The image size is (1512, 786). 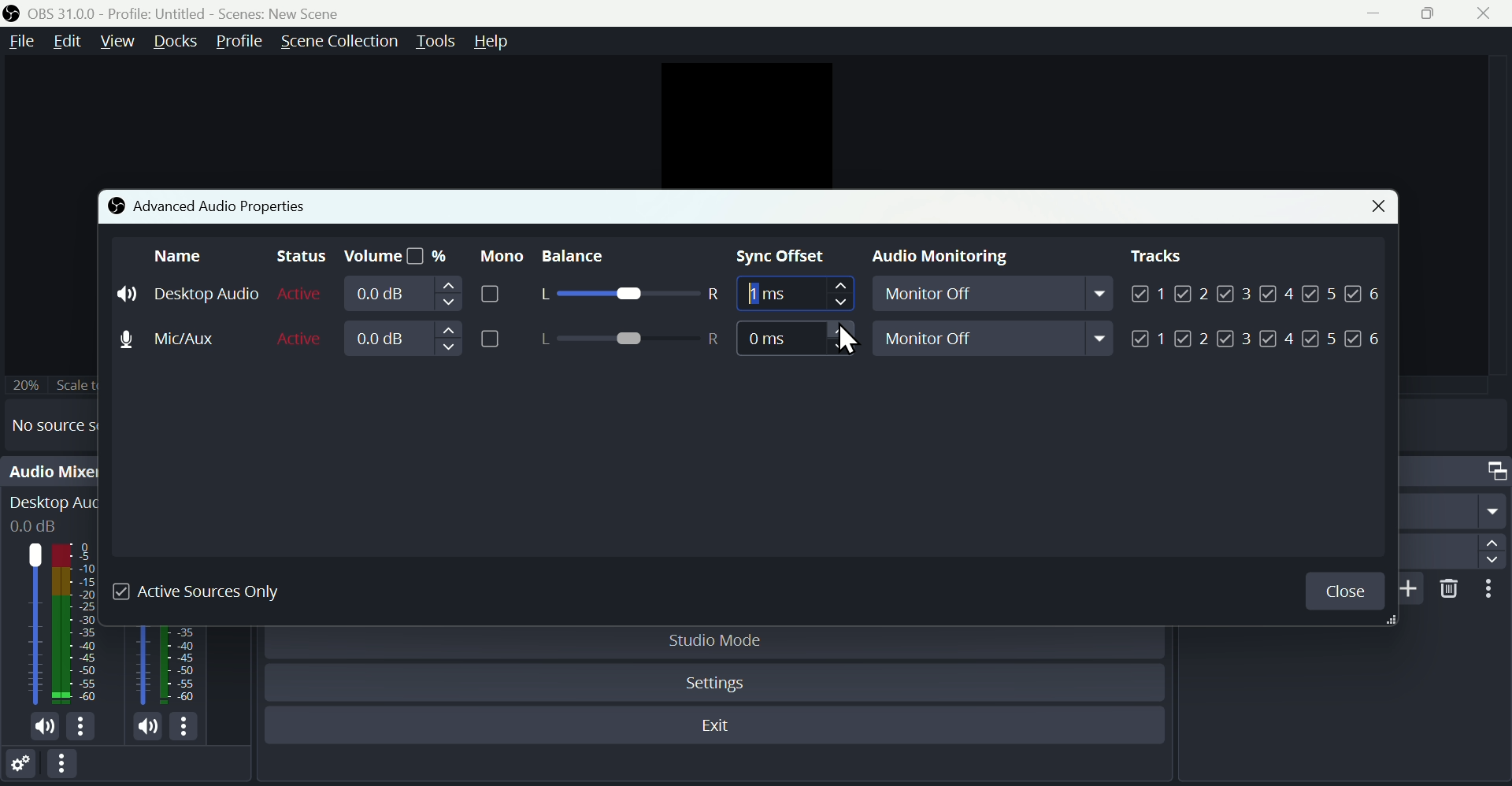 What do you see at coordinates (495, 41) in the screenshot?
I see `help` at bounding box center [495, 41].